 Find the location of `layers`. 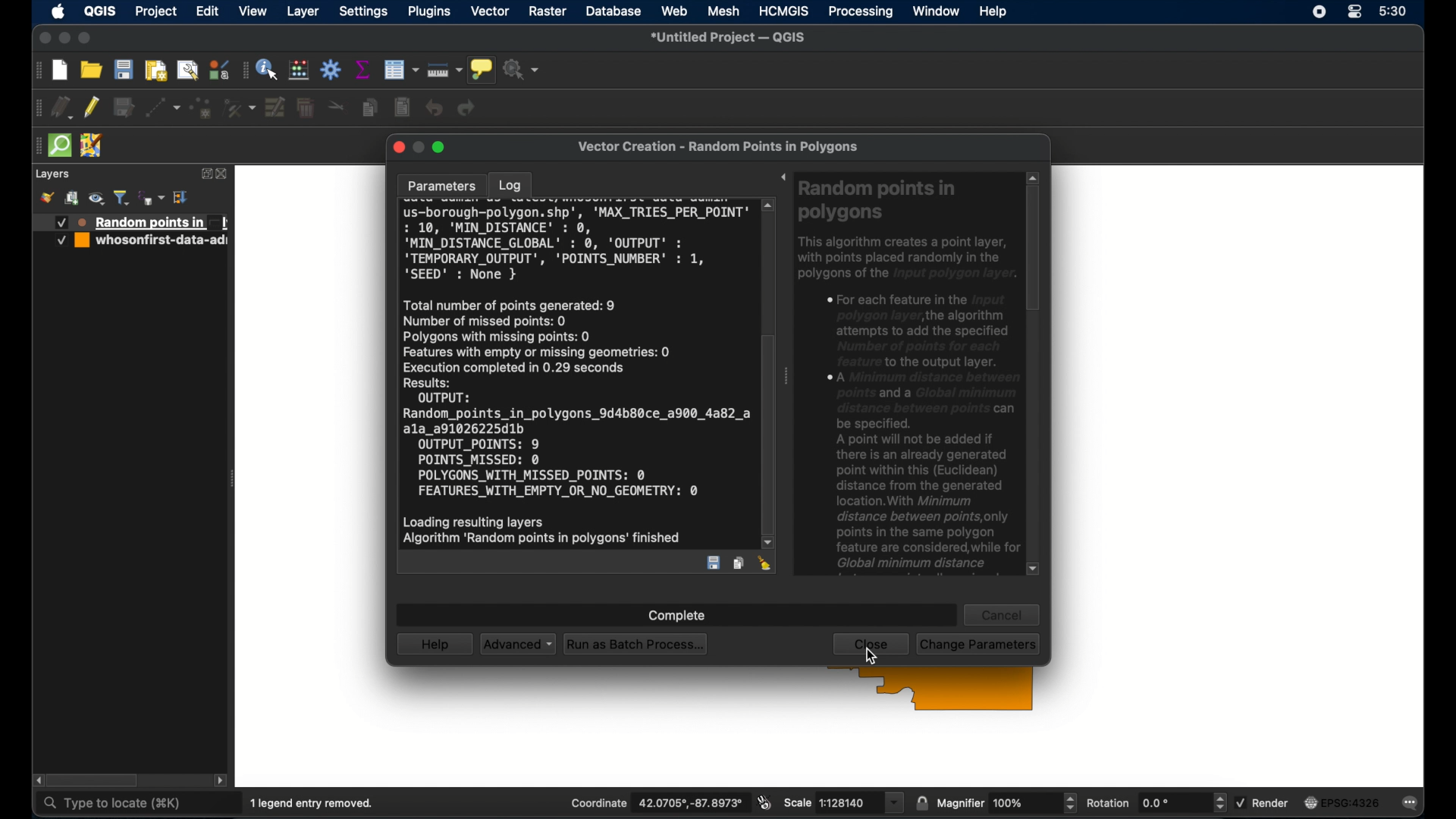

layers is located at coordinates (52, 174).